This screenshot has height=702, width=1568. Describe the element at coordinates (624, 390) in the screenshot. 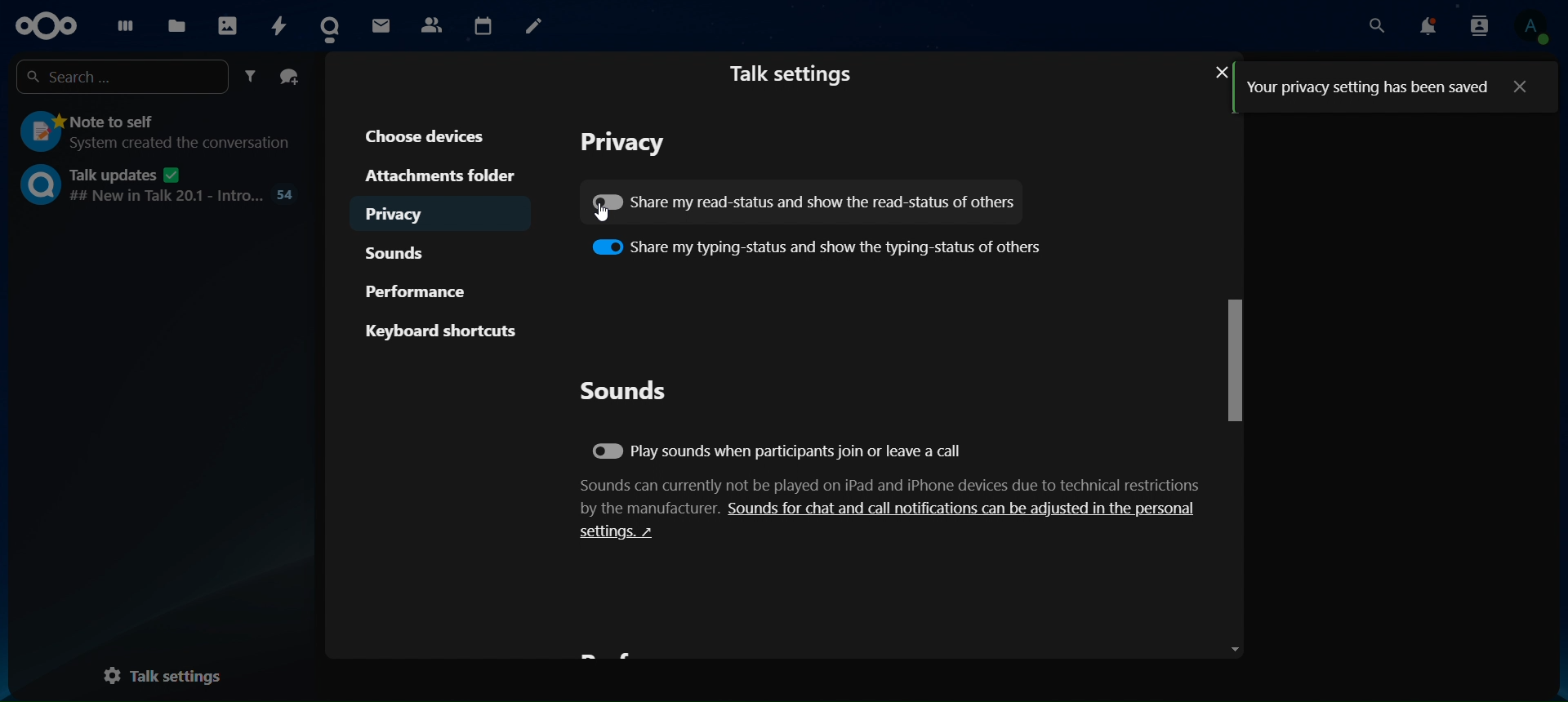

I see `sounds` at that location.